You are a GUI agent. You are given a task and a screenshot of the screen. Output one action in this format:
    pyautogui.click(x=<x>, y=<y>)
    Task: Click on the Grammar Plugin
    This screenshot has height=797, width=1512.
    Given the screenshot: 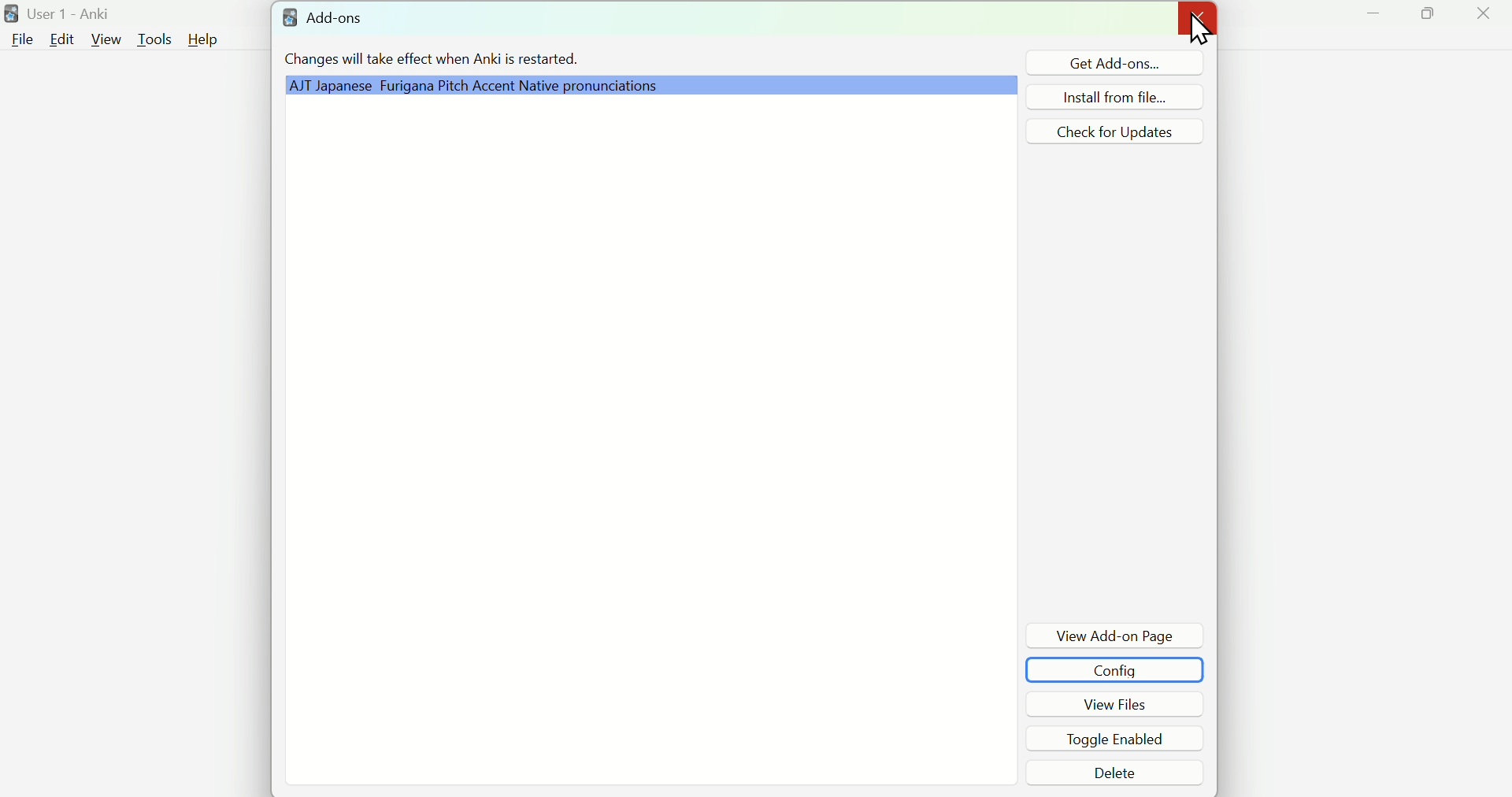 What is the action you would take?
    pyautogui.click(x=647, y=84)
    